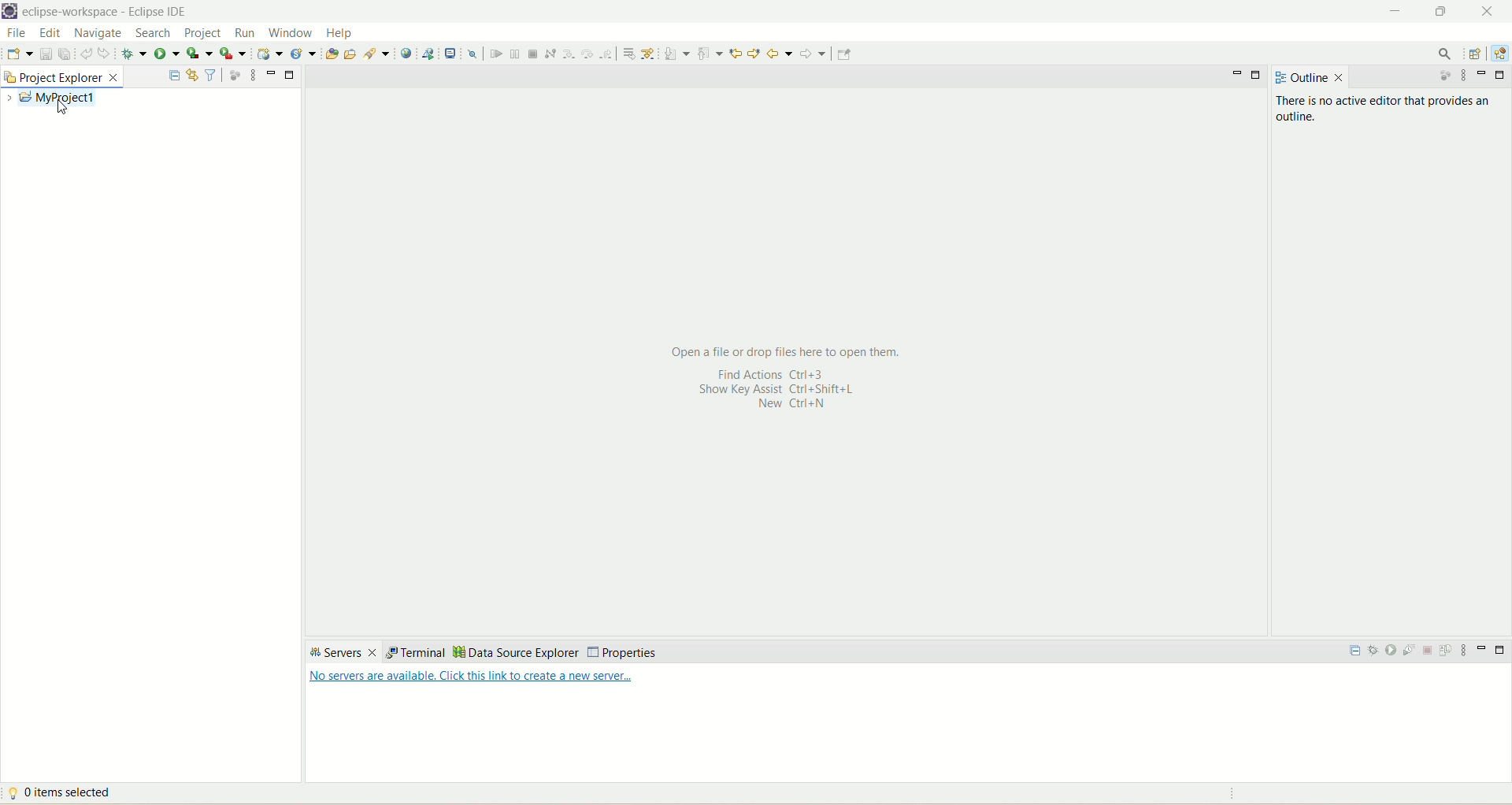  What do you see at coordinates (1462, 75) in the screenshot?
I see `view menu` at bounding box center [1462, 75].